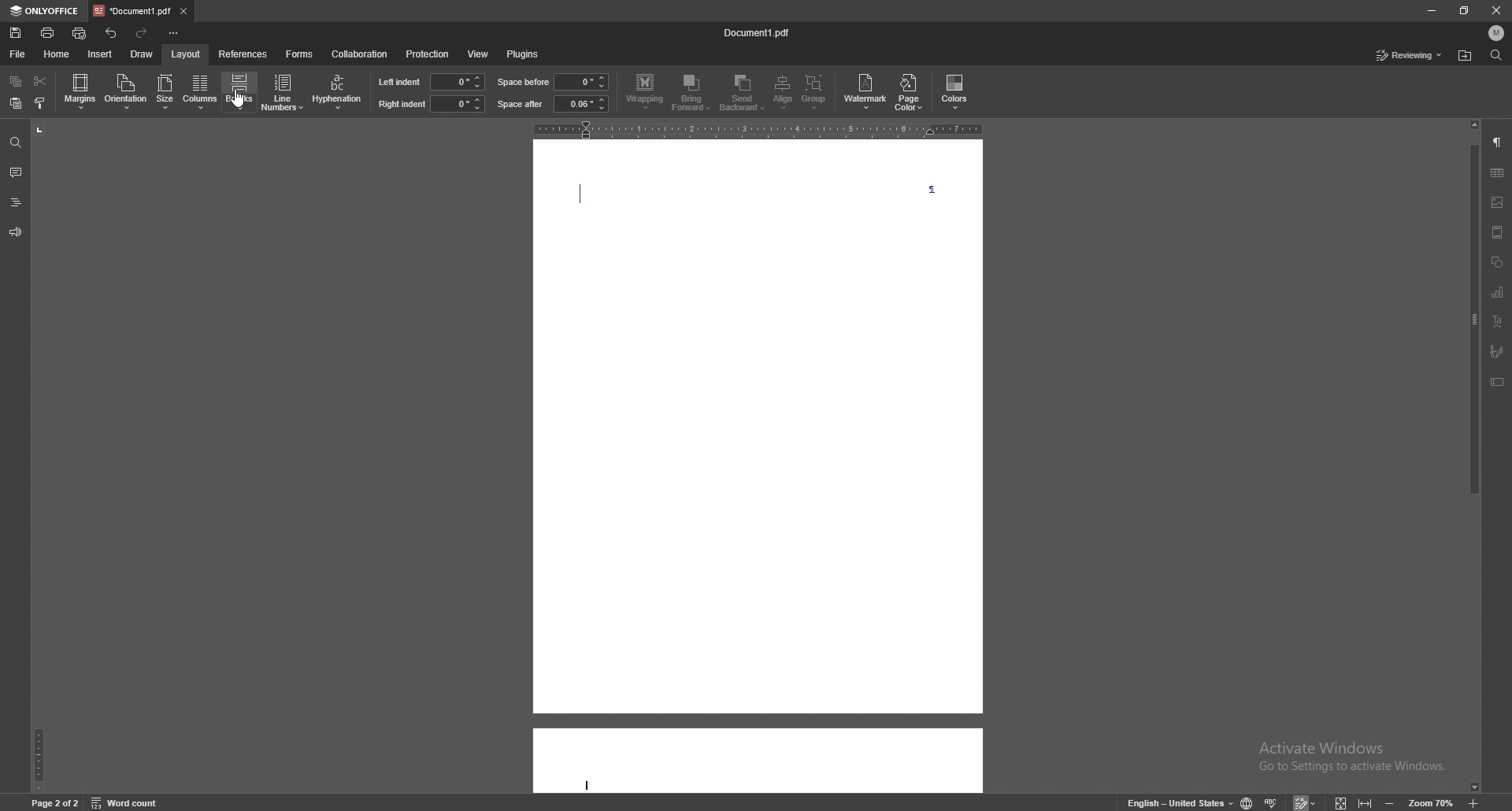 The height and width of the screenshot is (811, 1512). I want to click on draw, so click(143, 54).